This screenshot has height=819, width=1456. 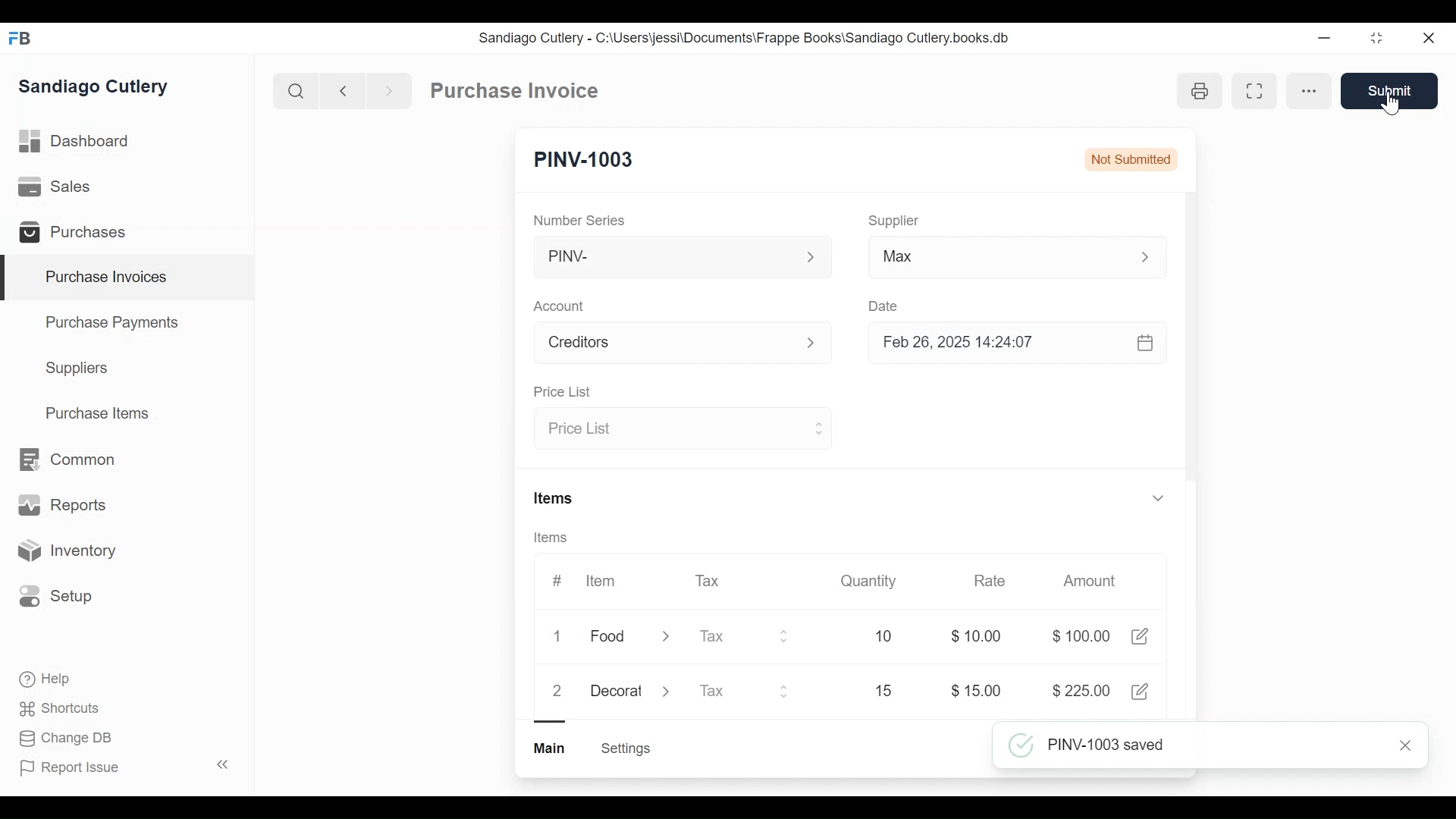 What do you see at coordinates (551, 747) in the screenshot?
I see `Main` at bounding box center [551, 747].